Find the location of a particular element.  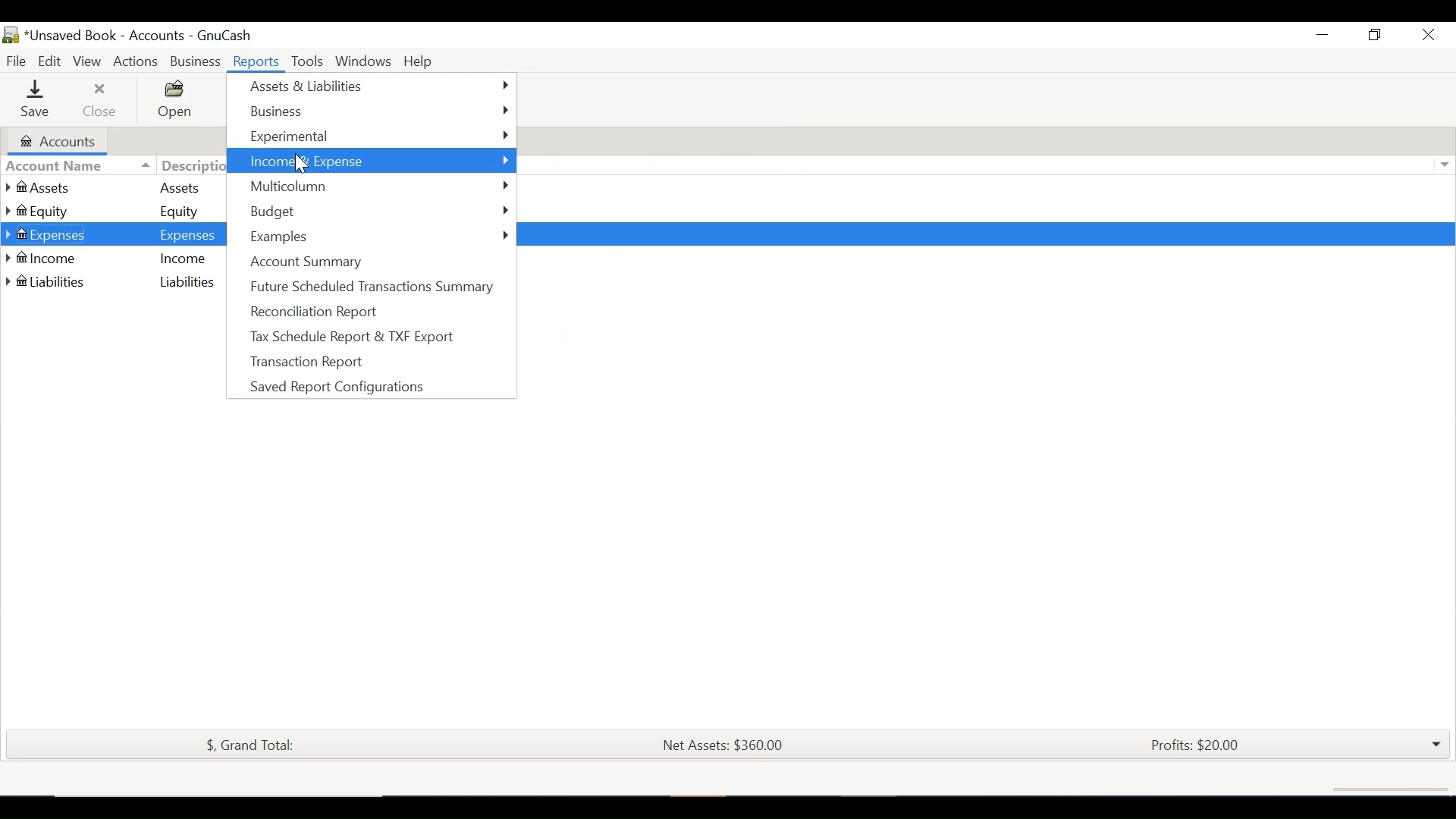

cursor is located at coordinates (306, 168).